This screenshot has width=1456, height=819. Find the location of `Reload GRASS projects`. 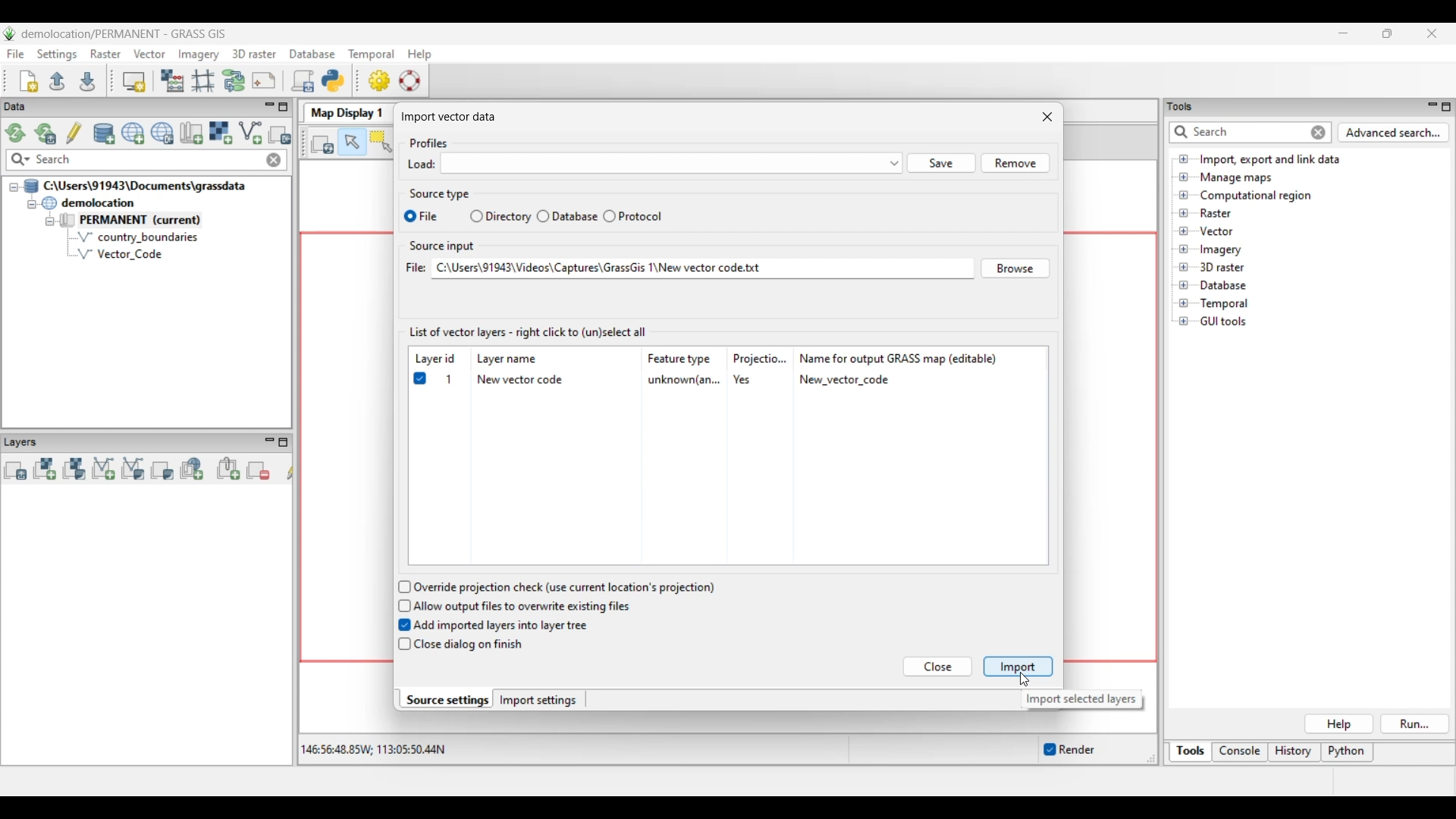

Reload GRASS projects is located at coordinates (16, 133).